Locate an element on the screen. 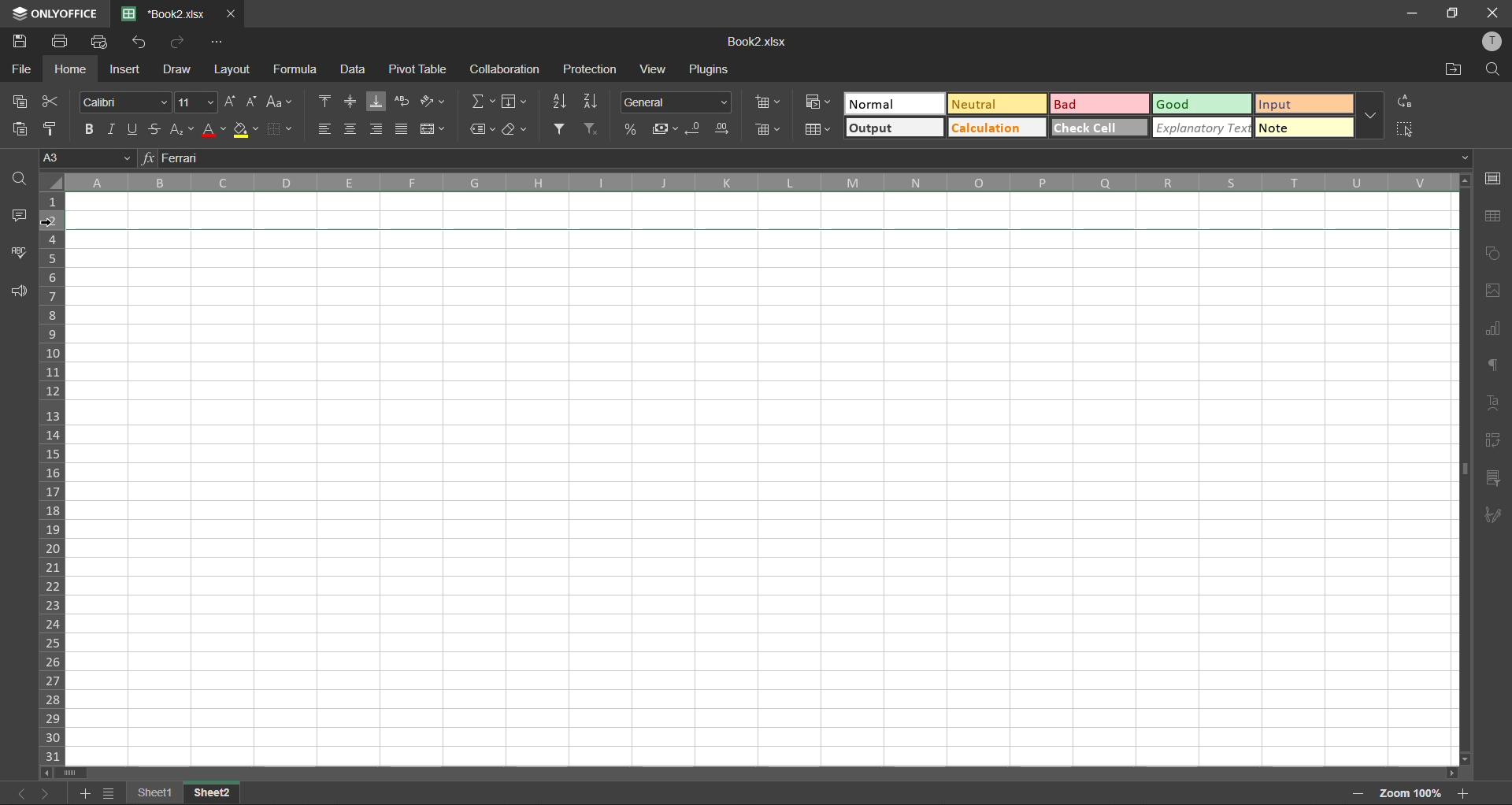  layout is located at coordinates (229, 69).